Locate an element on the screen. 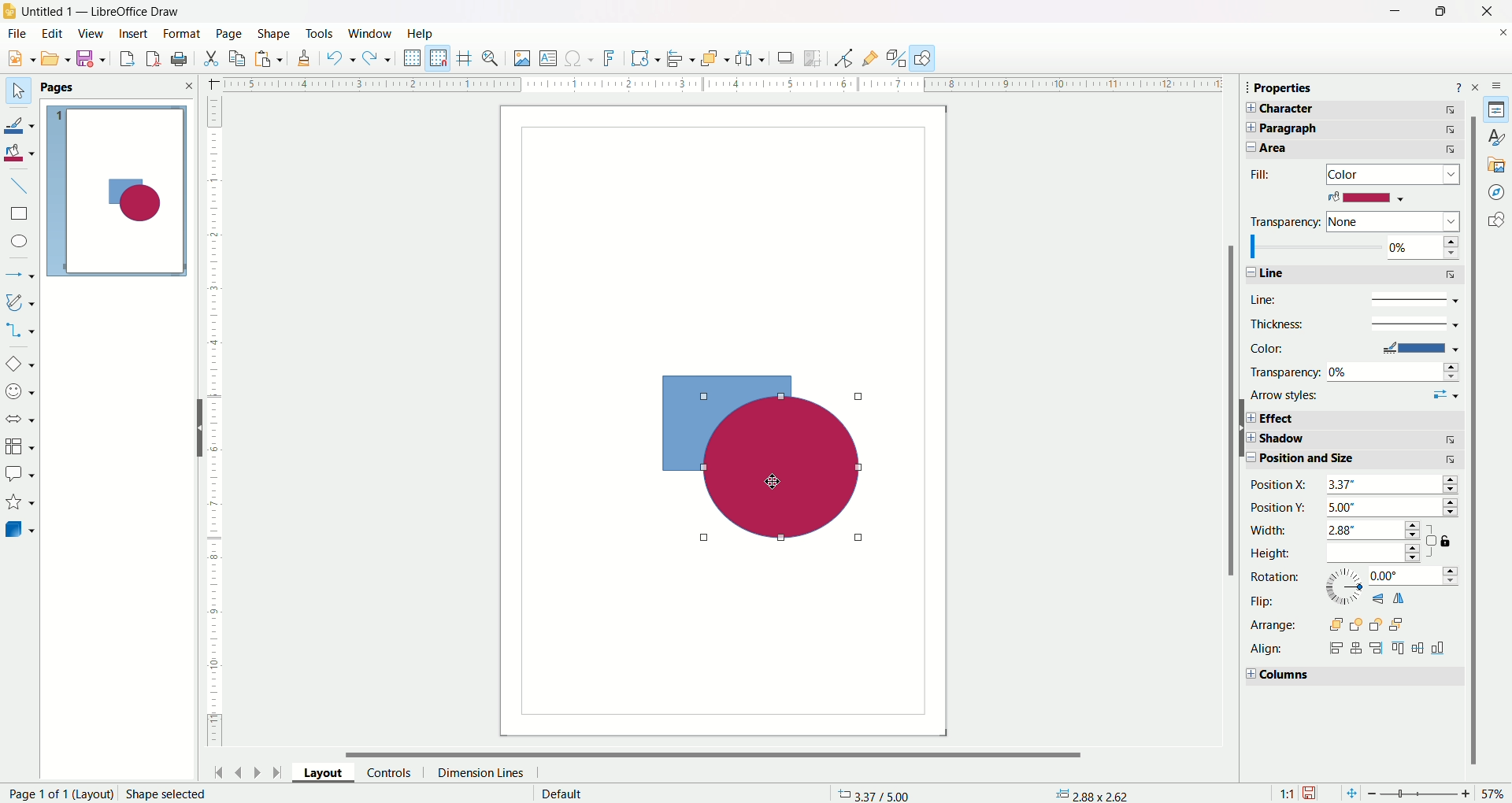 The width and height of the screenshot is (1512, 803). title is located at coordinates (101, 9).